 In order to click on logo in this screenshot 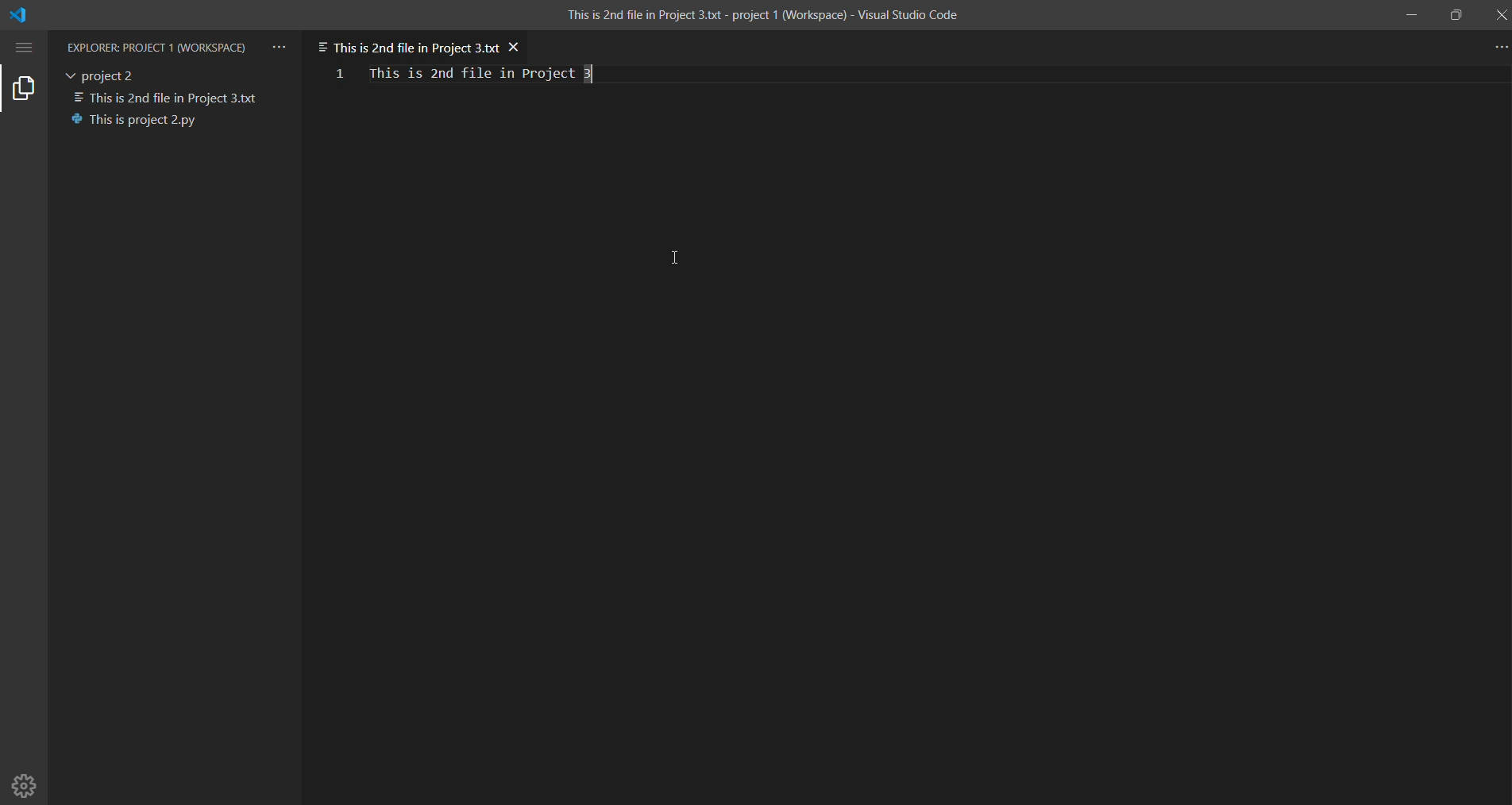, I will do `click(33, 14)`.